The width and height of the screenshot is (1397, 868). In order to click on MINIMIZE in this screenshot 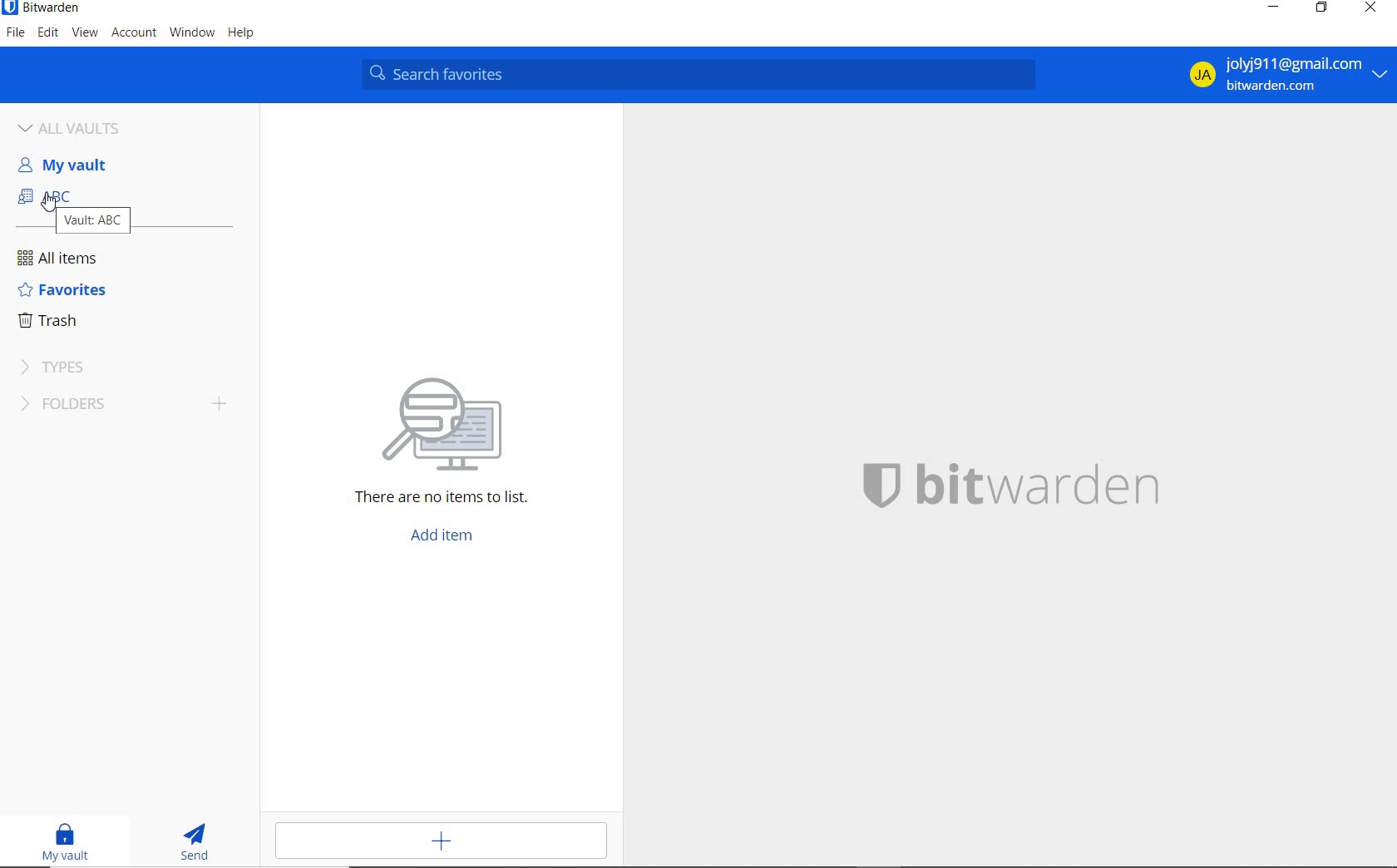, I will do `click(1271, 8)`.